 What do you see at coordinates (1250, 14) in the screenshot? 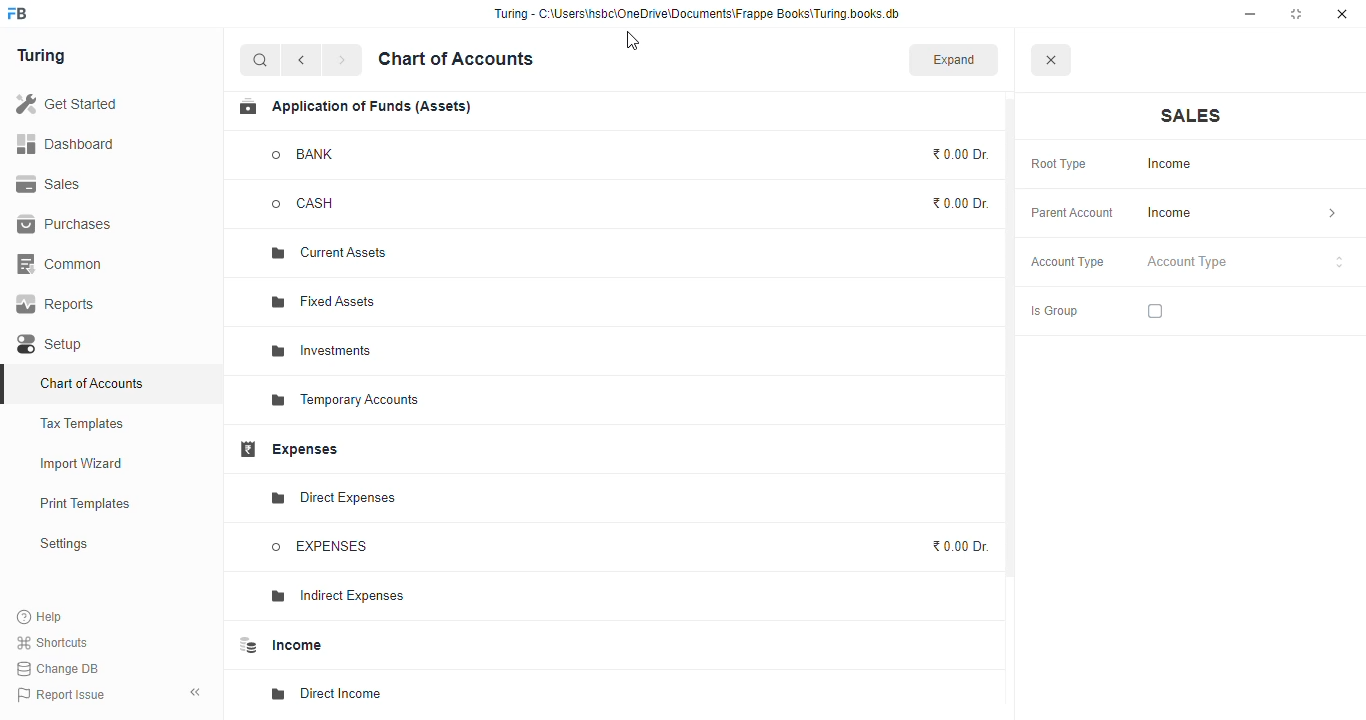
I see `minimize` at bounding box center [1250, 14].